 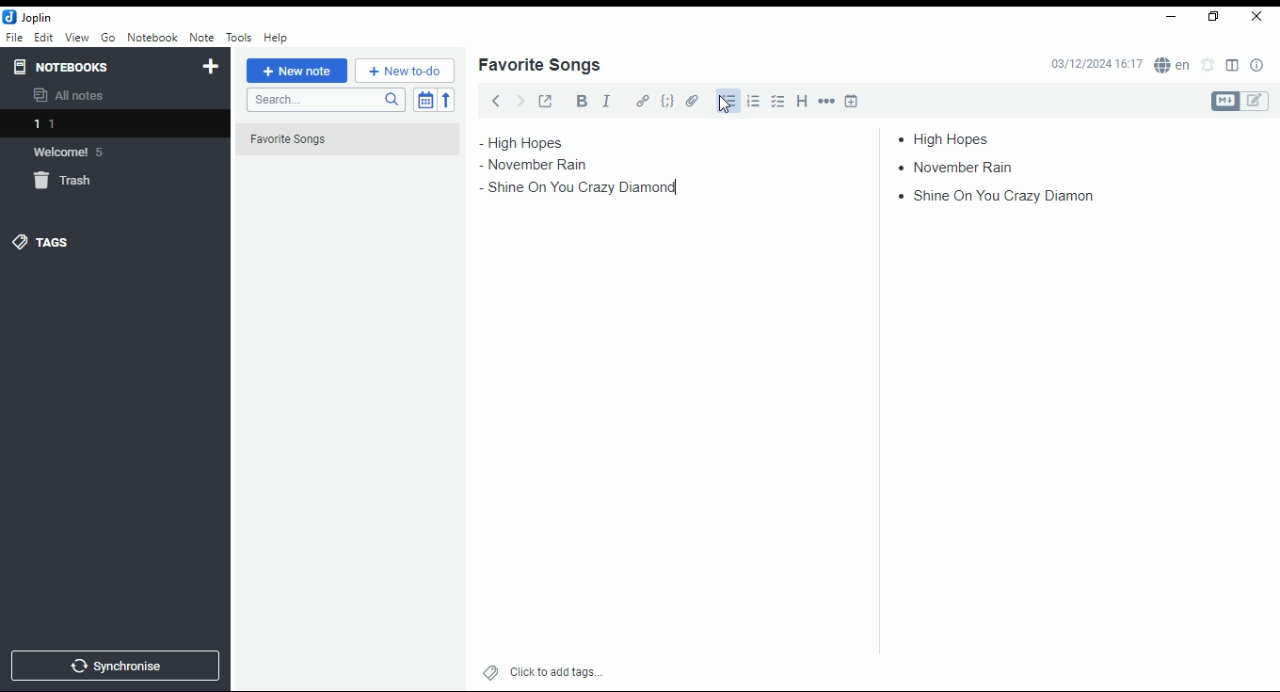 I want to click on new note, so click(x=297, y=71).